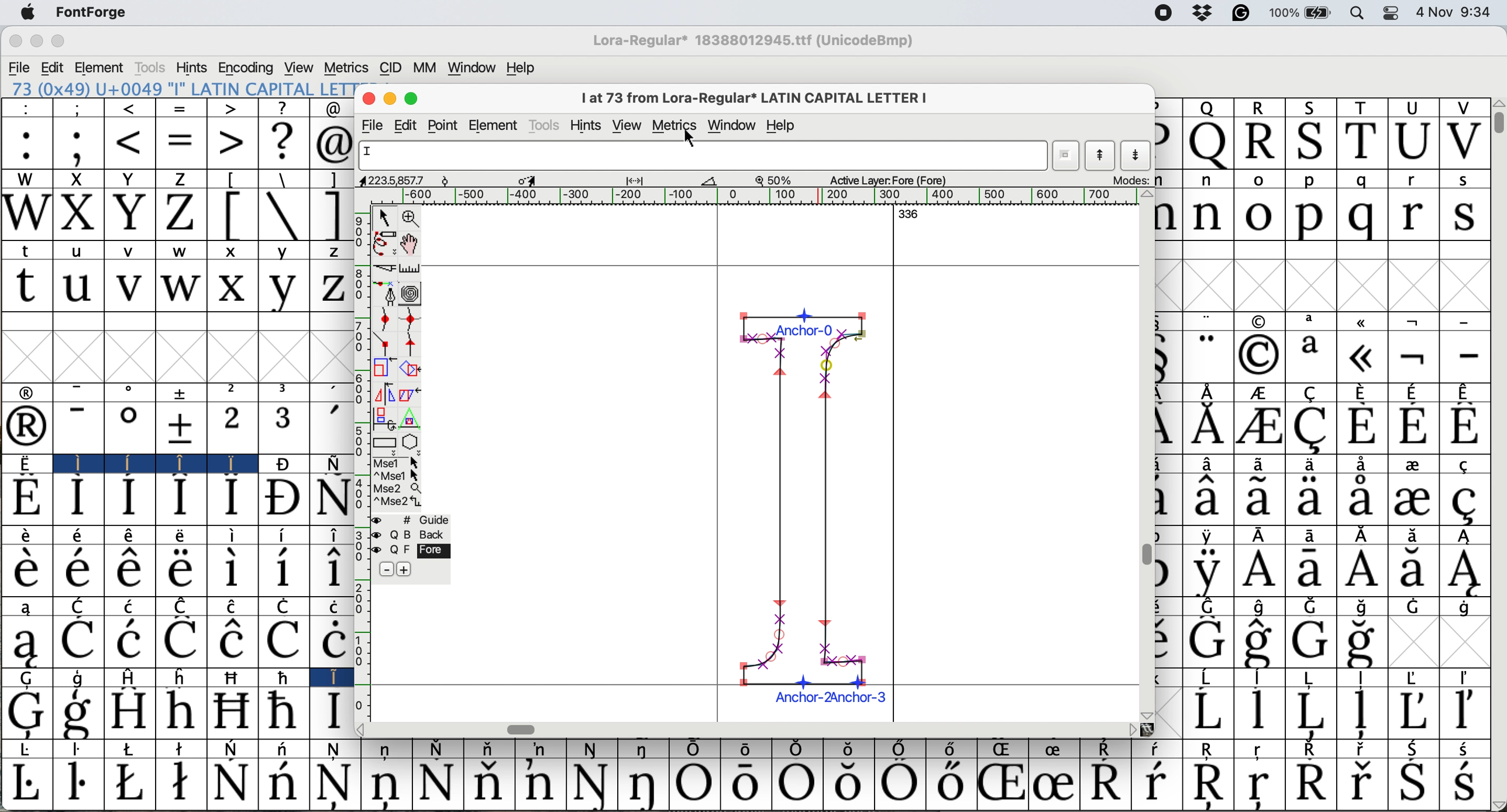  Describe the element at coordinates (1004, 750) in the screenshot. I see `Symbol` at that location.